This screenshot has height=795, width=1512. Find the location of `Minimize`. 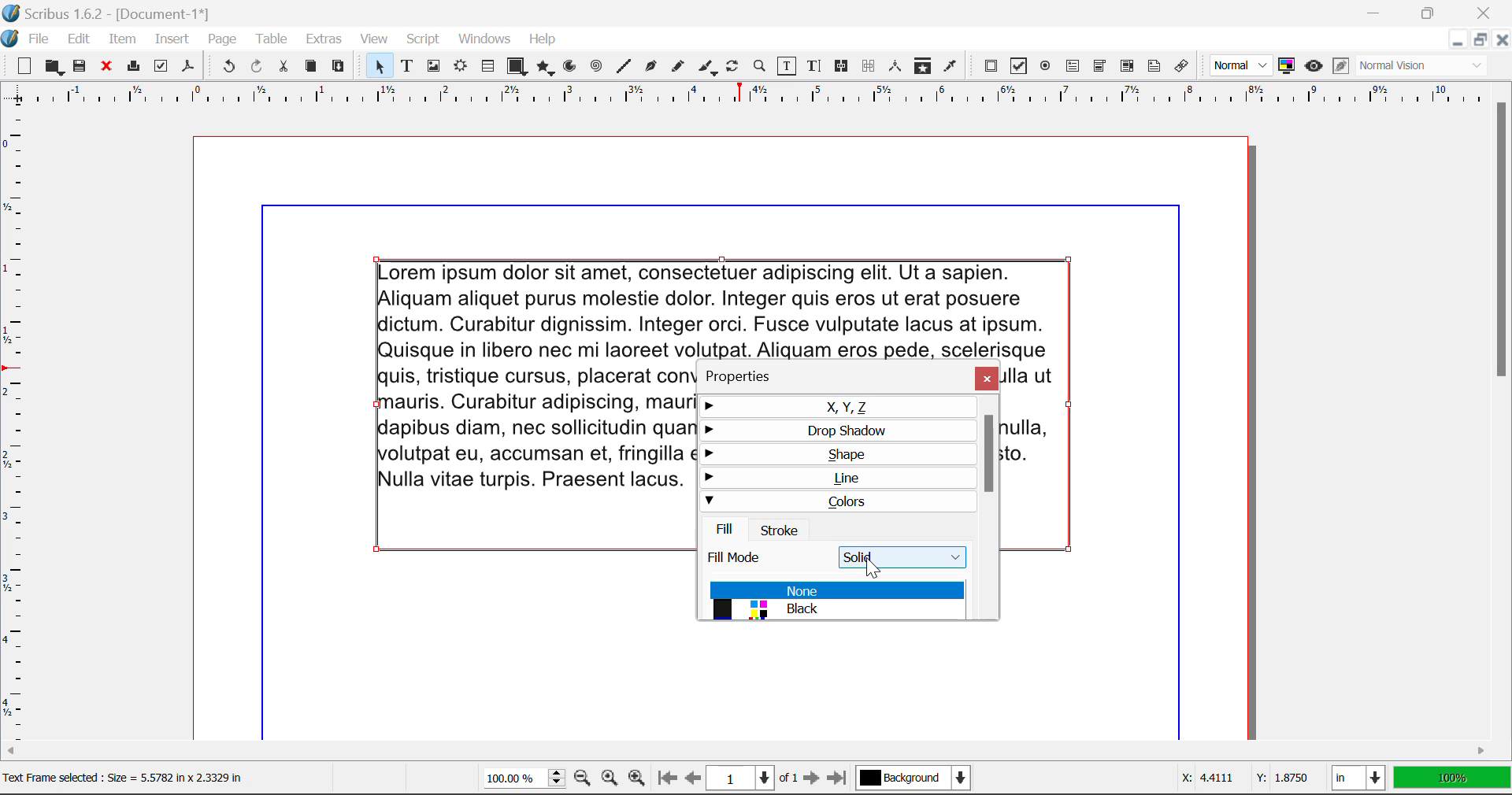

Minimize is located at coordinates (1429, 11).